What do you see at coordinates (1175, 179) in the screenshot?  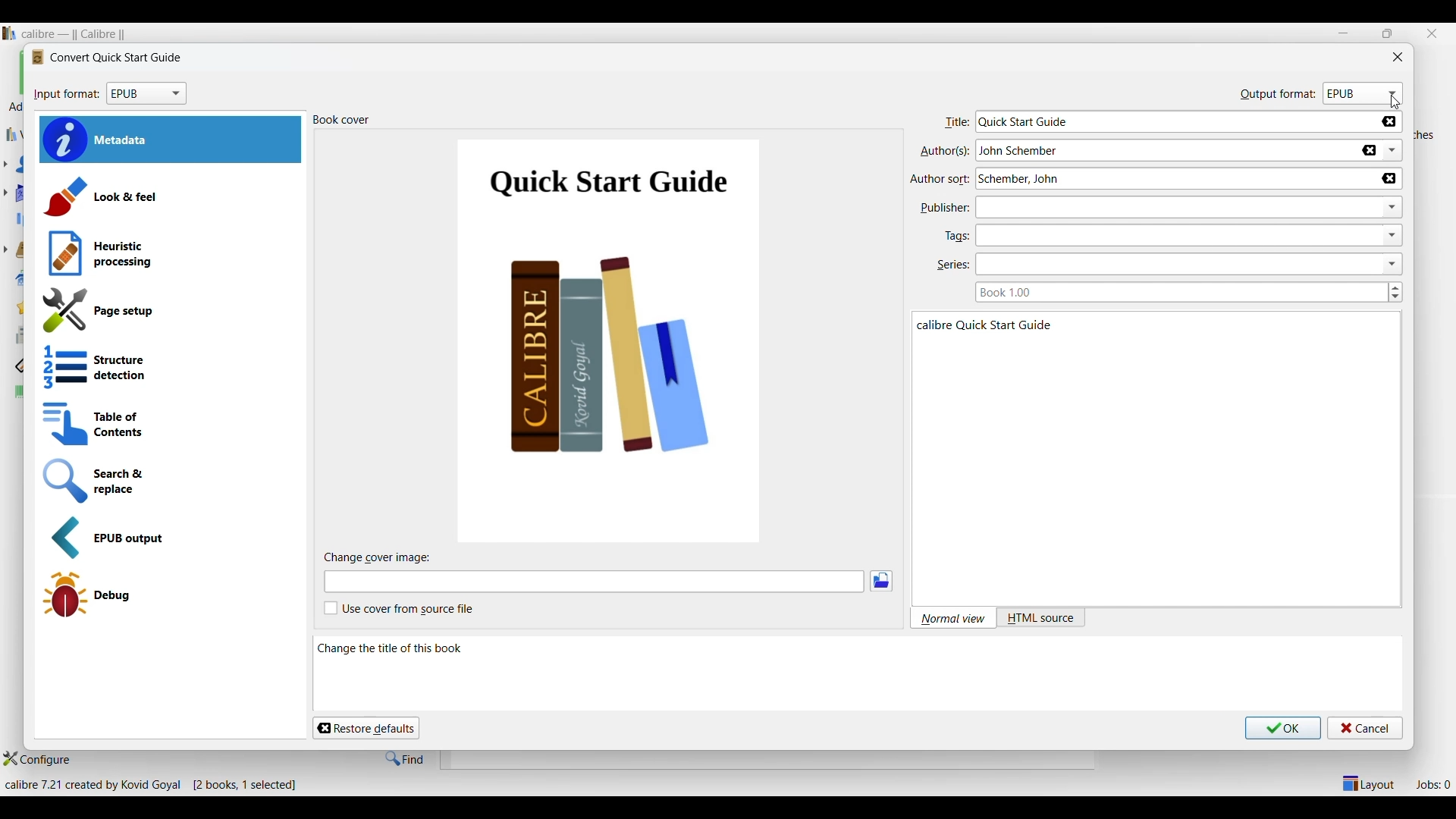 I see `Type in author name` at bounding box center [1175, 179].